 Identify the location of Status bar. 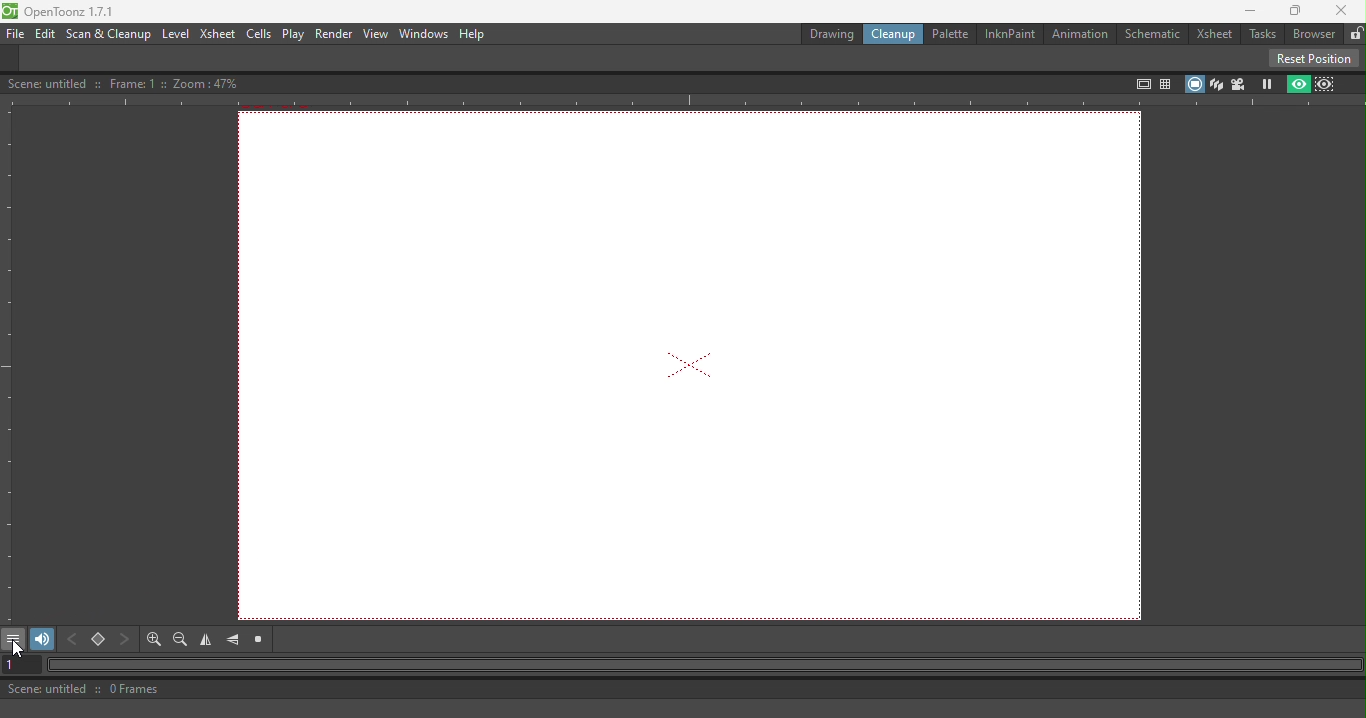
(506, 689).